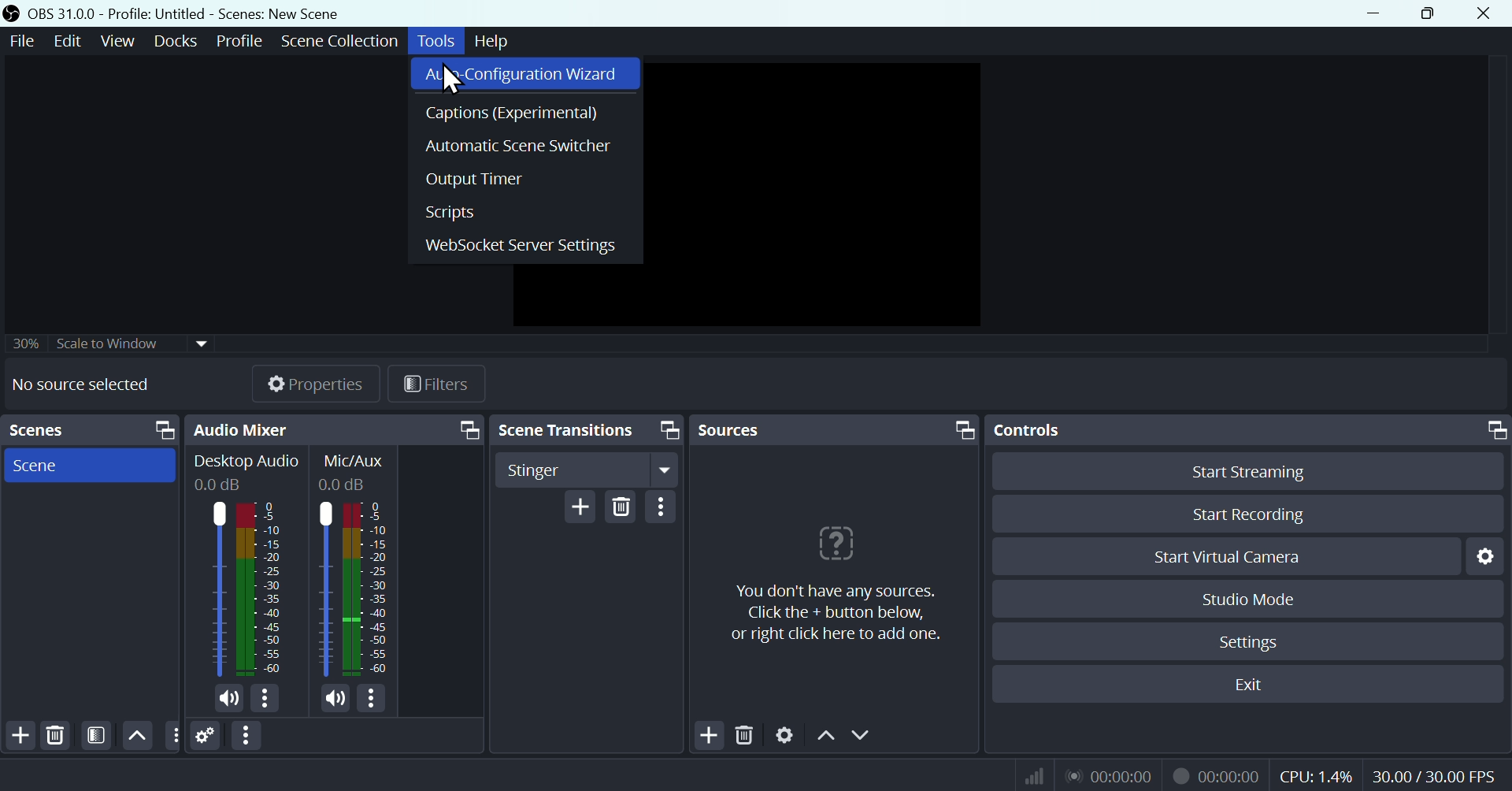 The width and height of the screenshot is (1512, 791). Describe the element at coordinates (580, 506) in the screenshot. I see `Add ` at that location.